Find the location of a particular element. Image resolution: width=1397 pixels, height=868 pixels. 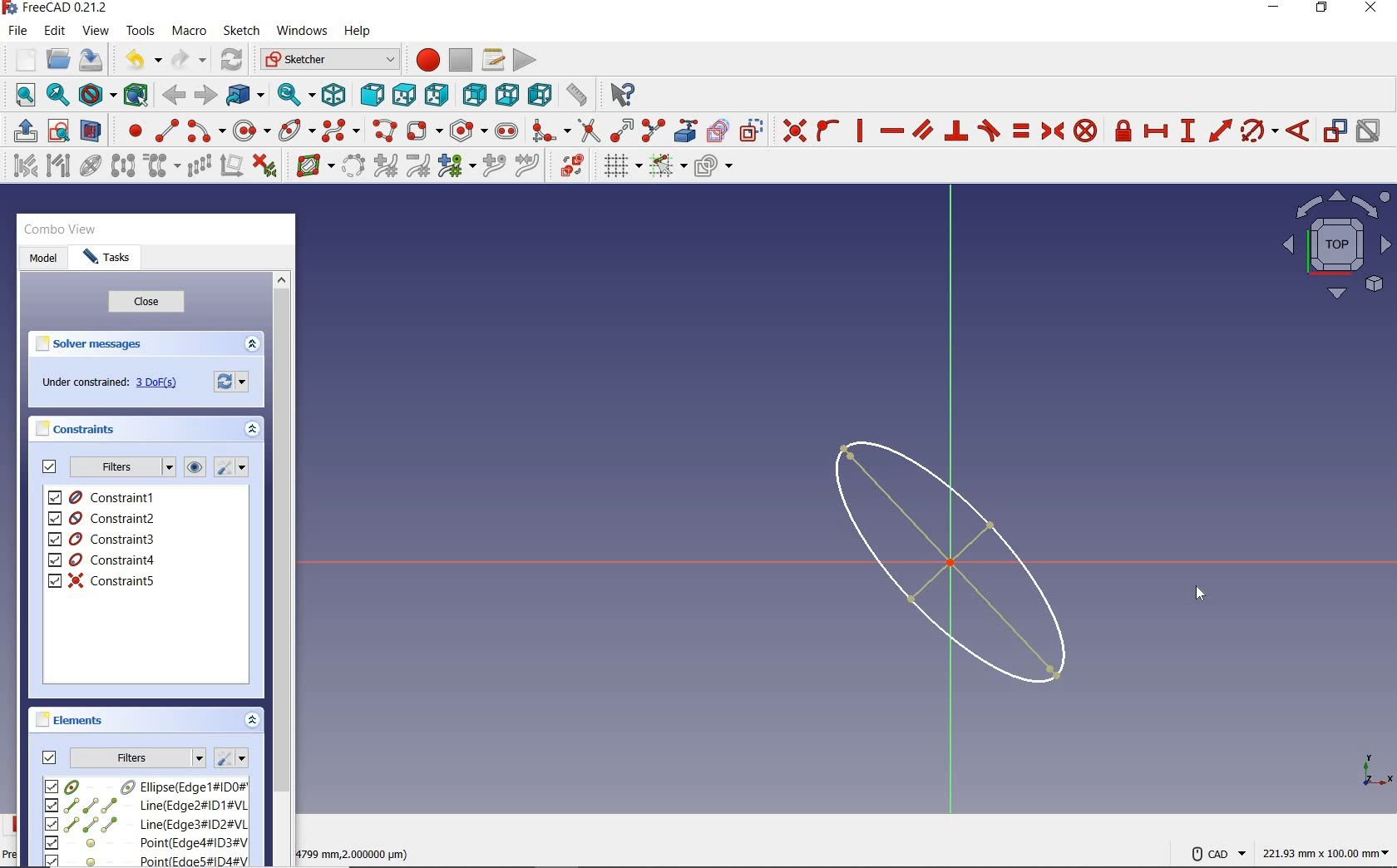

constrain vertically is located at coordinates (860, 131).